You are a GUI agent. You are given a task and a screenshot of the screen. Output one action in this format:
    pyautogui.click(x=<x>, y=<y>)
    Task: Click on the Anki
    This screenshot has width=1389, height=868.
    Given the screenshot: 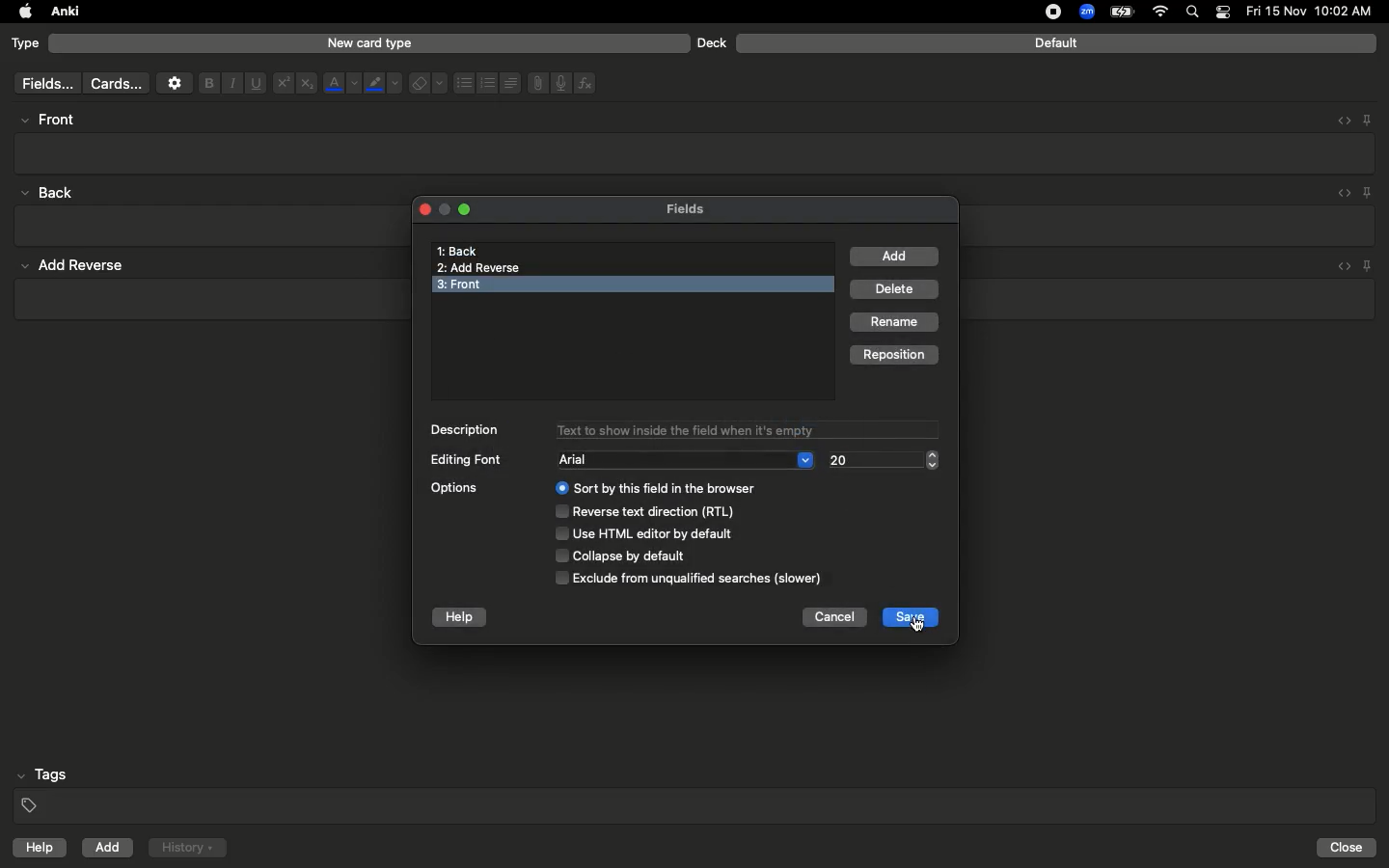 What is the action you would take?
    pyautogui.click(x=64, y=13)
    